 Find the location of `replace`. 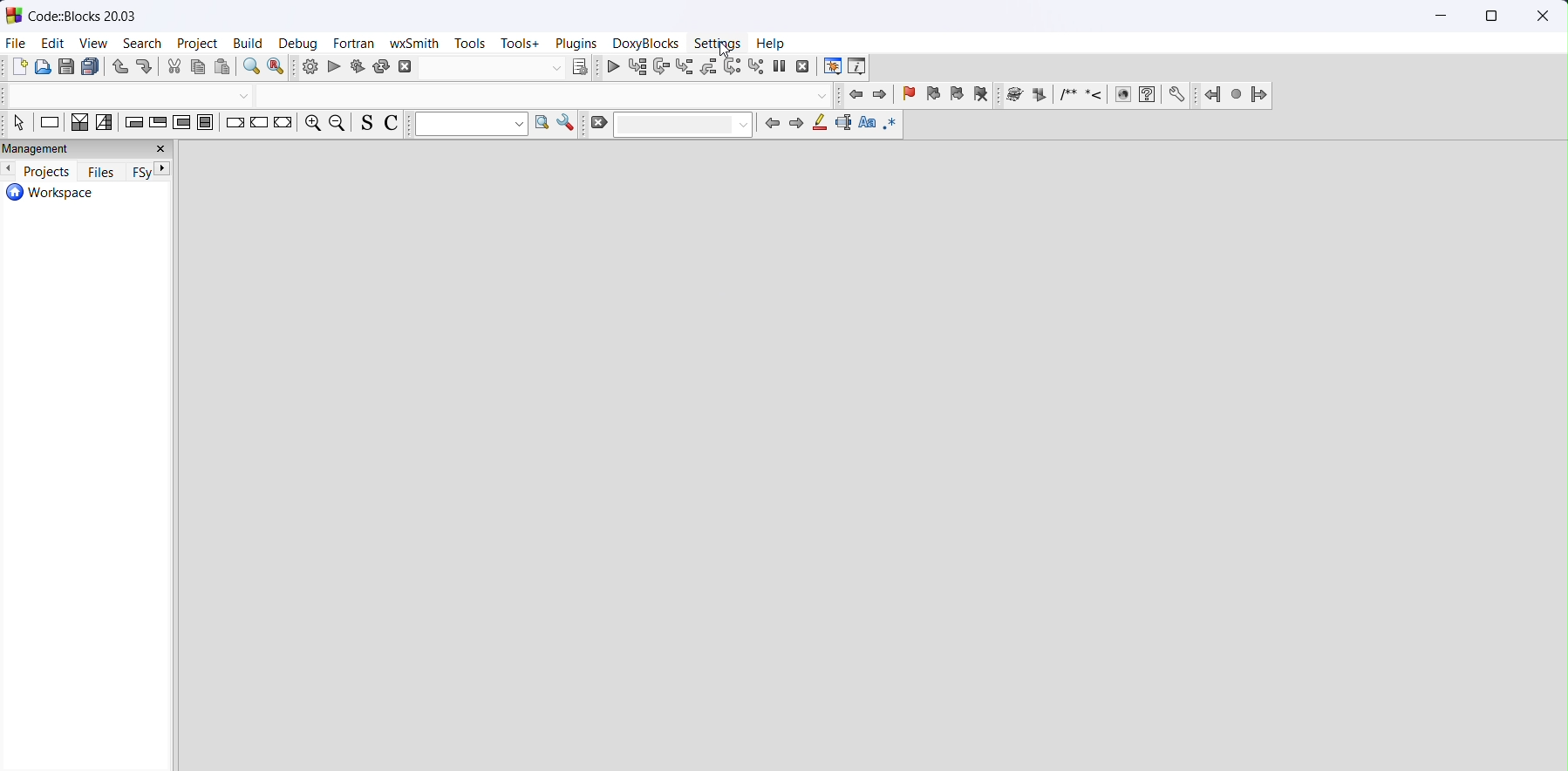

replace is located at coordinates (278, 68).